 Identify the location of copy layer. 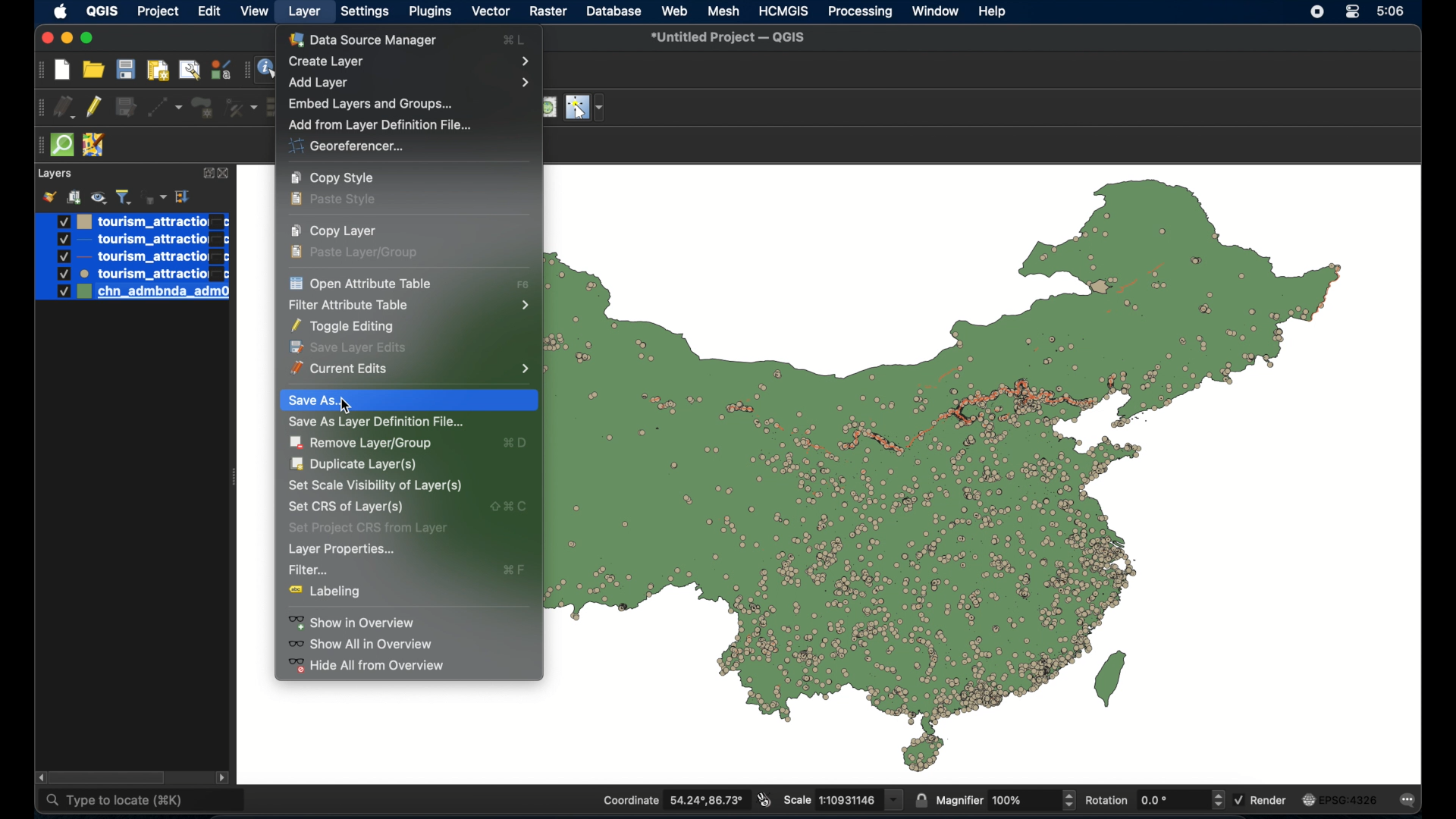
(334, 230).